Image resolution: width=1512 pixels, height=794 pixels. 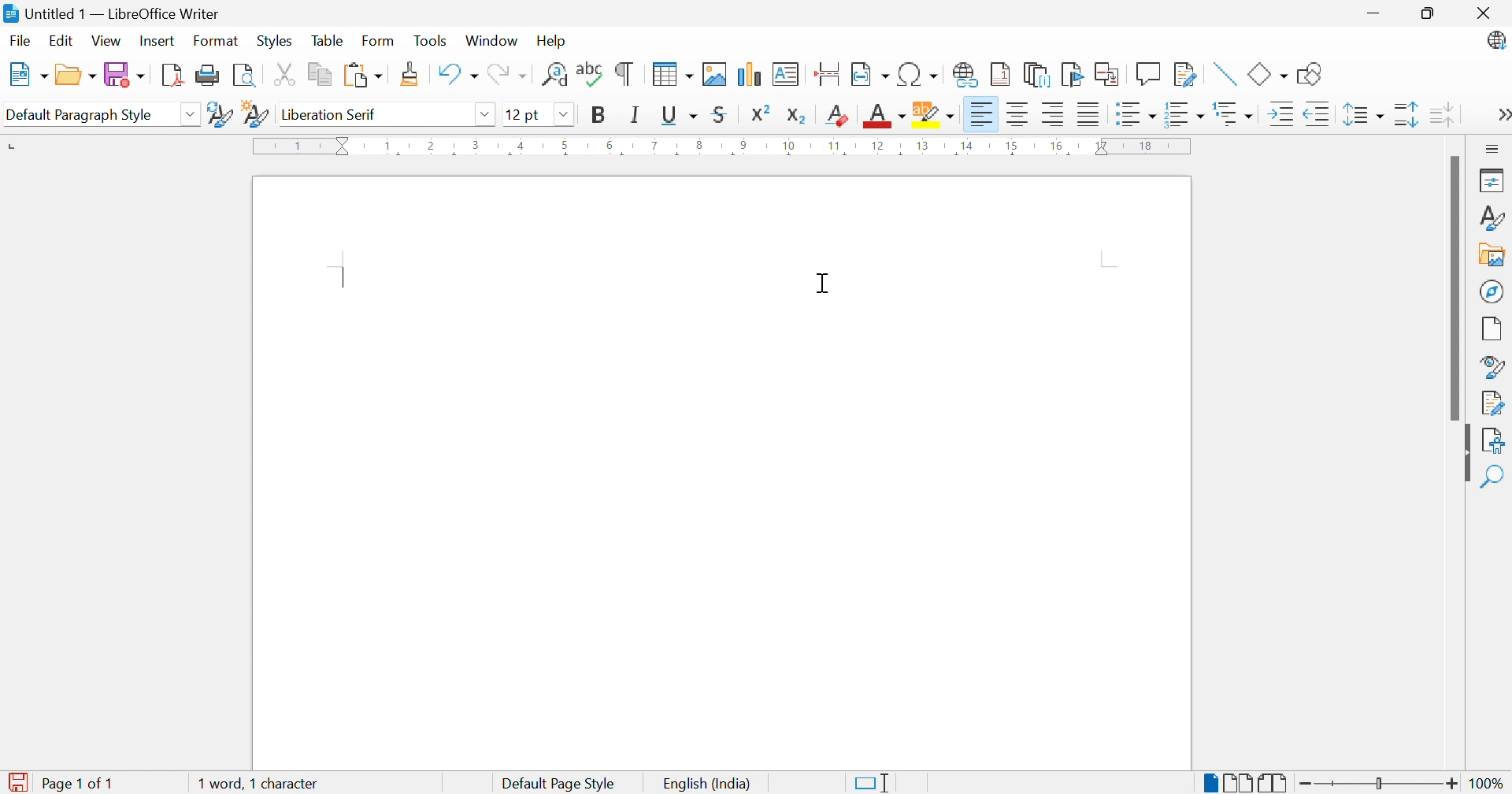 What do you see at coordinates (838, 117) in the screenshot?
I see `Clear Direct Formatting` at bounding box center [838, 117].